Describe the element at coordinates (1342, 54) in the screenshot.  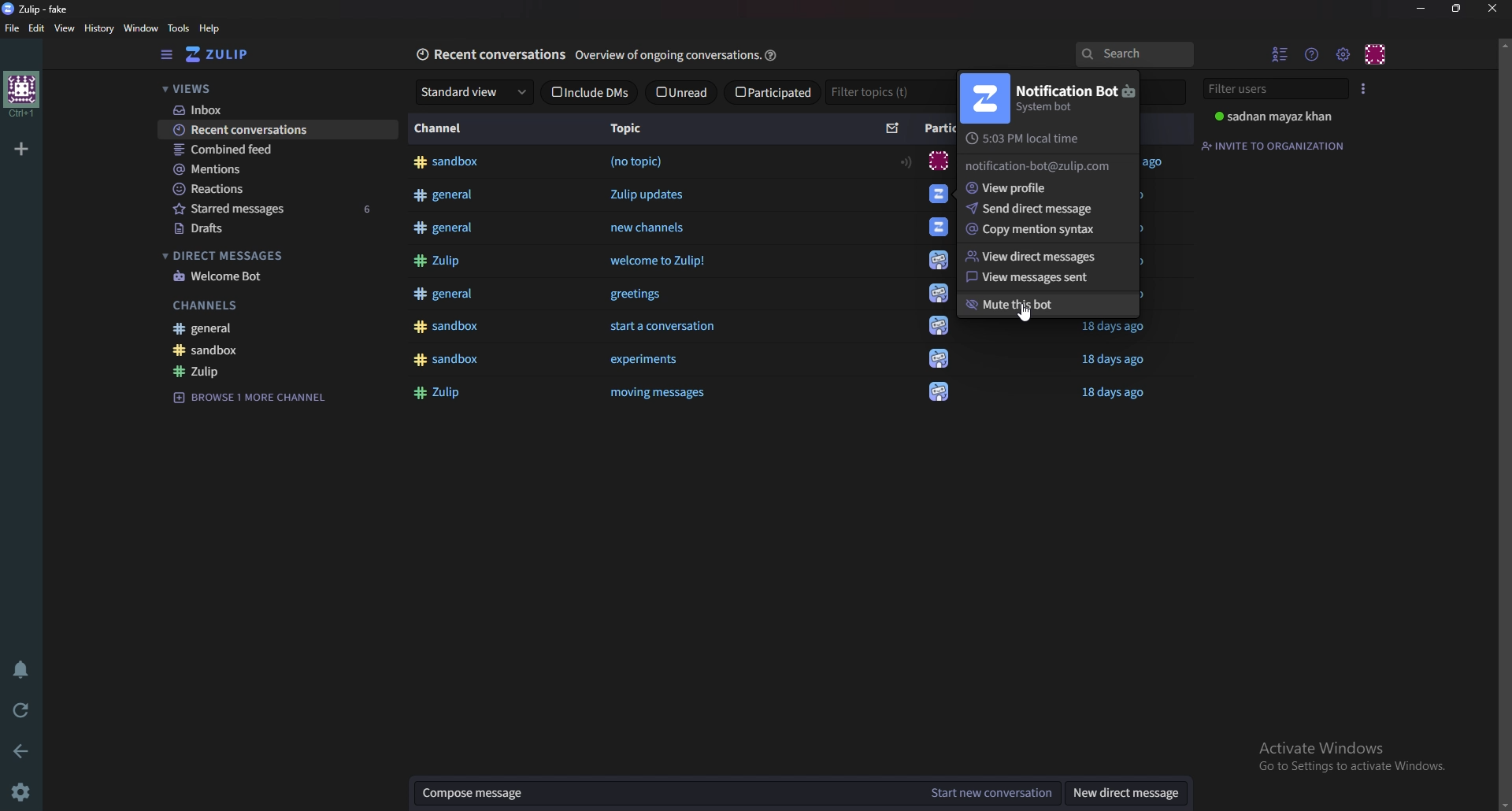
I see `Main menu` at that location.